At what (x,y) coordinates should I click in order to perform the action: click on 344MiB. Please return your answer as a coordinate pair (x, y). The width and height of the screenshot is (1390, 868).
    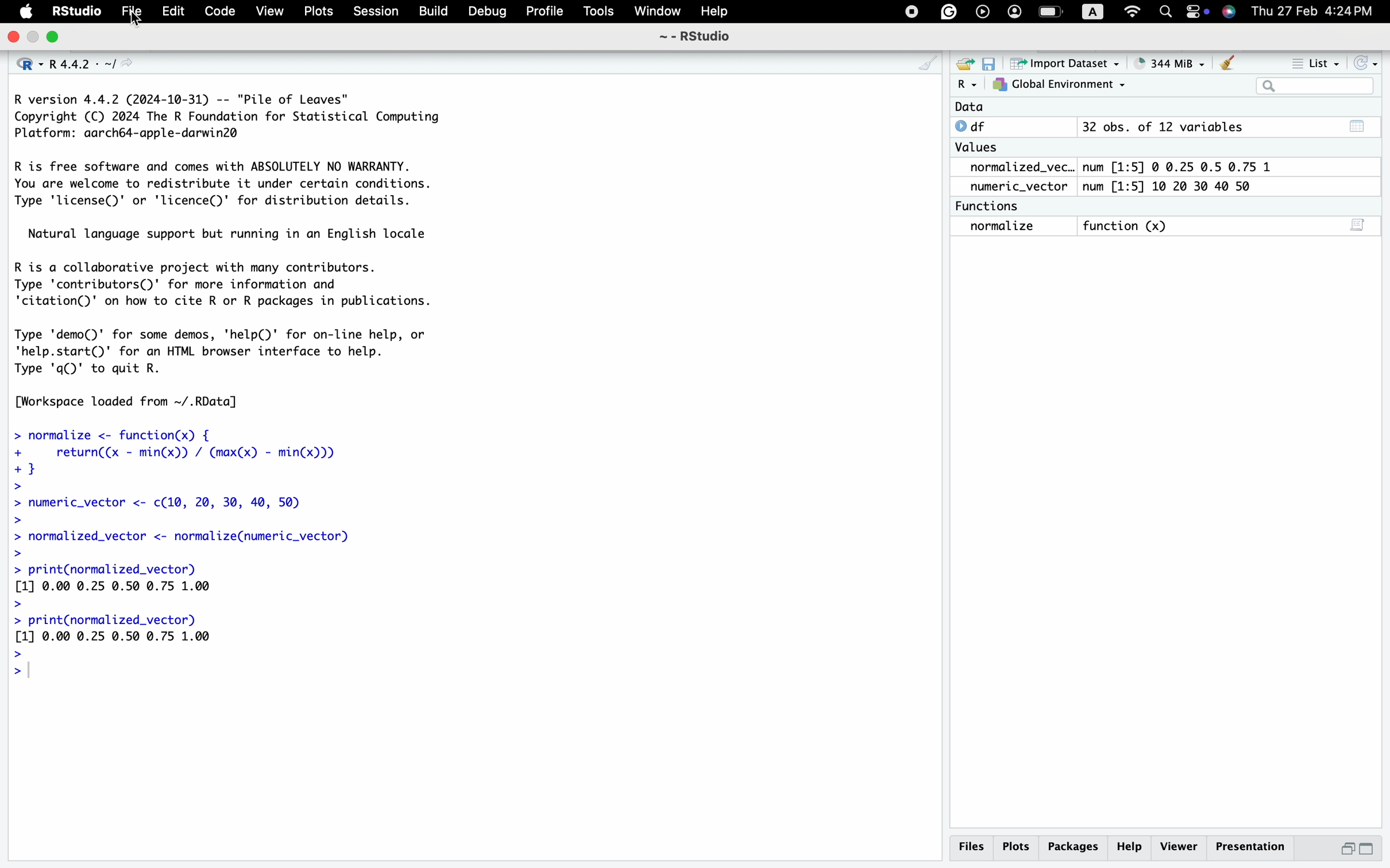
    Looking at the image, I should click on (1164, 61).